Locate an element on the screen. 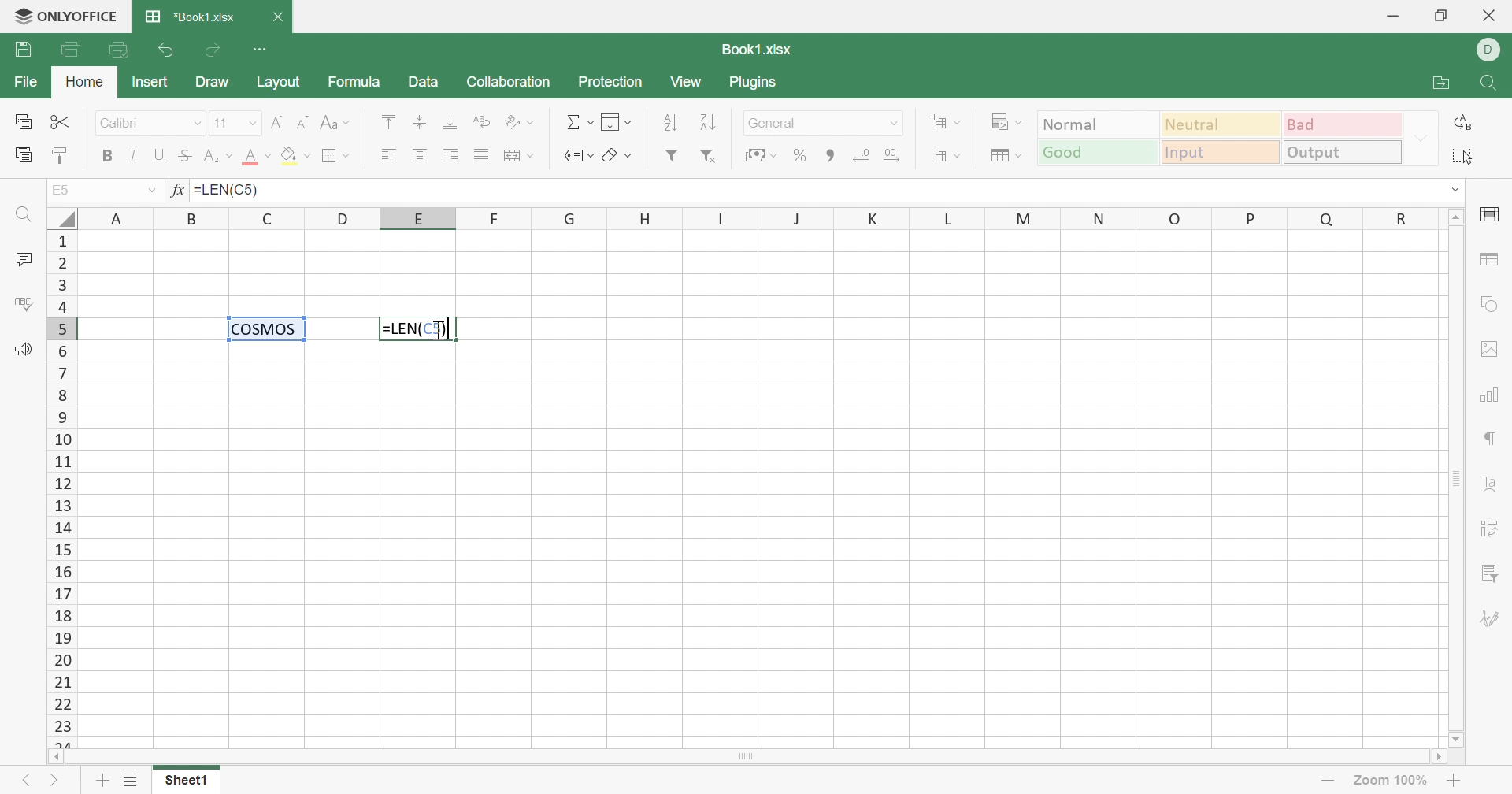 This screenshot has height=794, width=1512. Signature settings is located at coordinates (1491, 618).